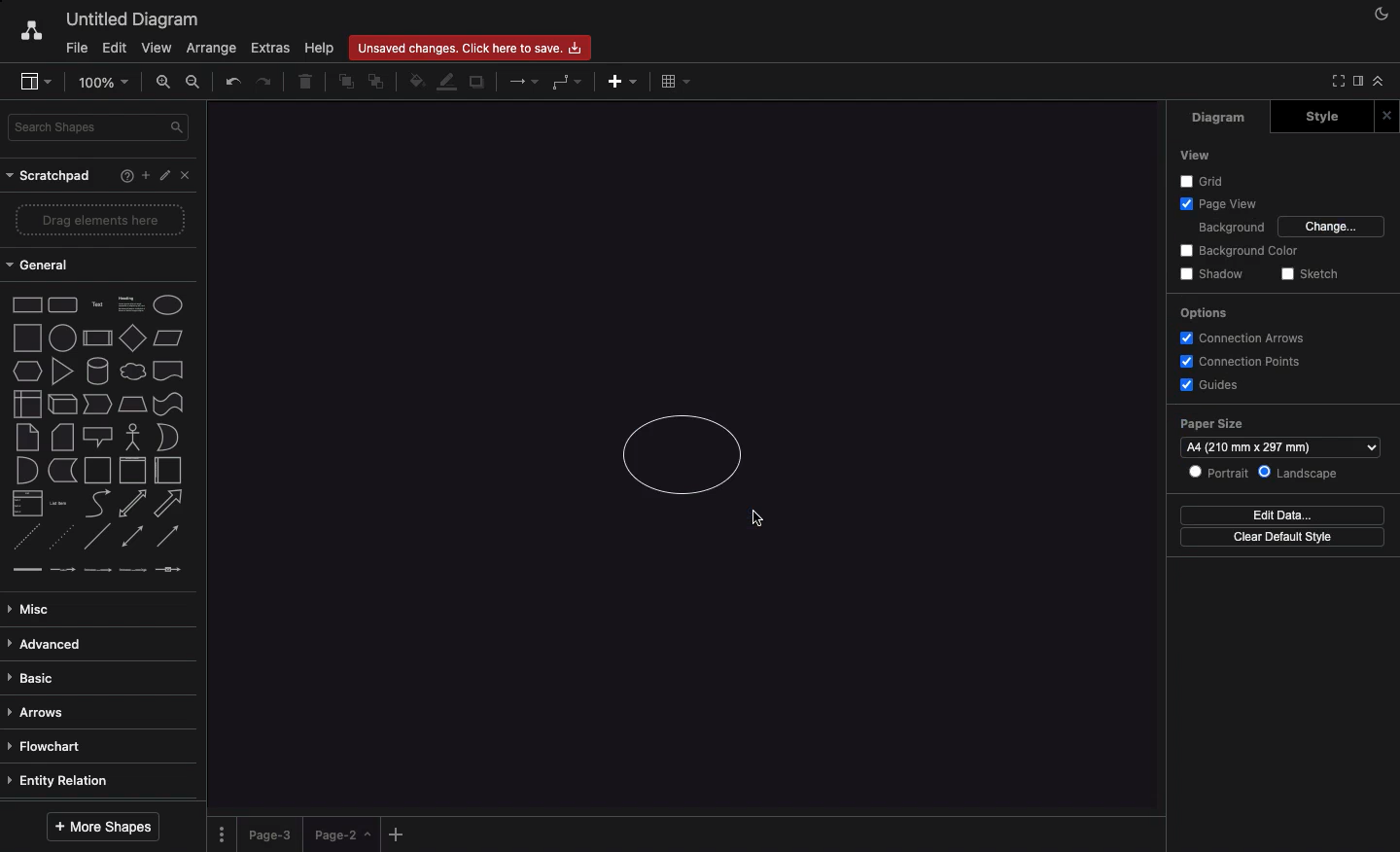 The height and width of the screenshot is (852, 1400). Describe the element at coordinates (34, 679) in the screenshot. I see `Basic` at that location.